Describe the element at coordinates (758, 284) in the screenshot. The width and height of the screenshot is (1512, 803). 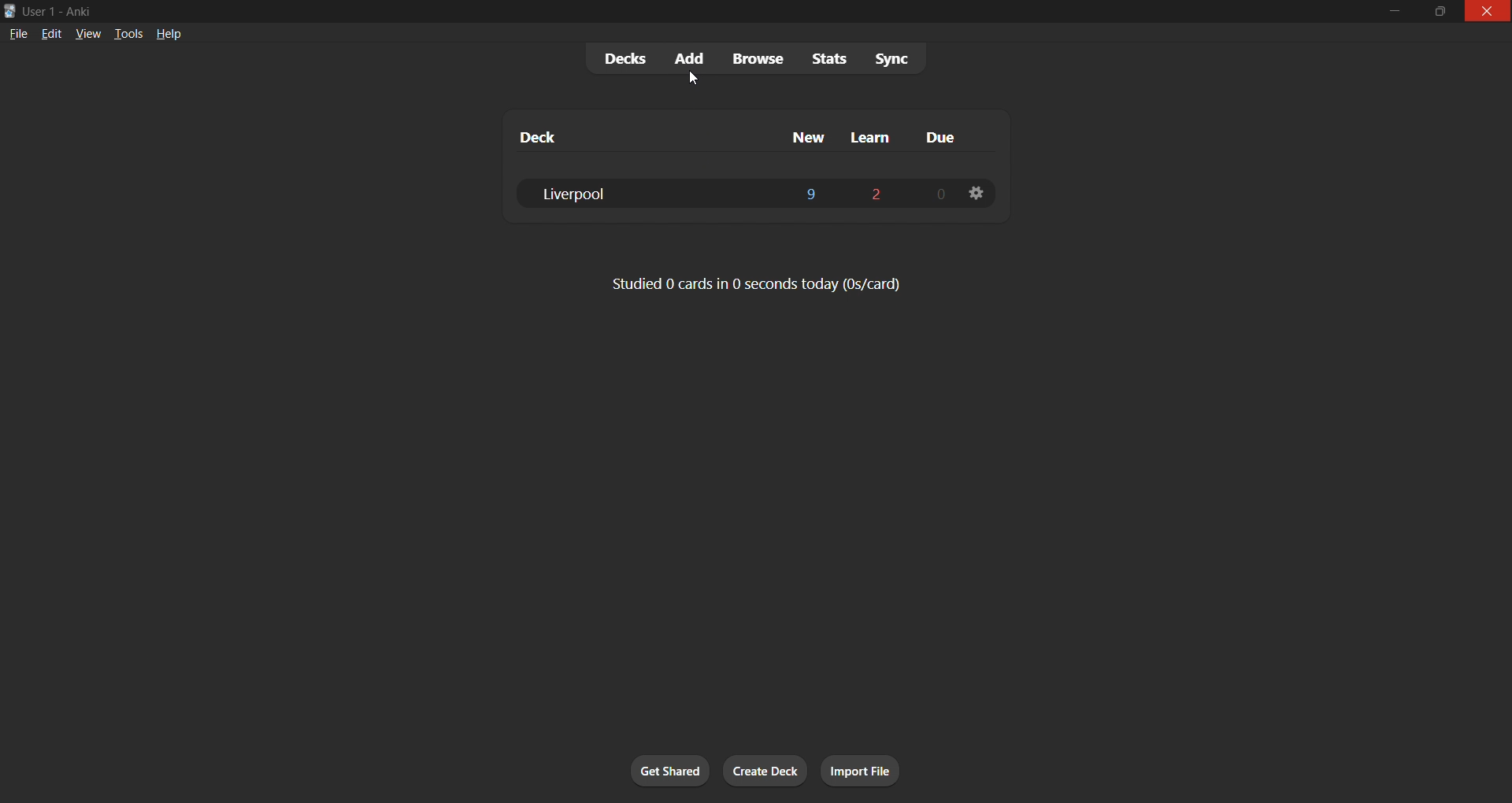
I see `card stats` at that location.